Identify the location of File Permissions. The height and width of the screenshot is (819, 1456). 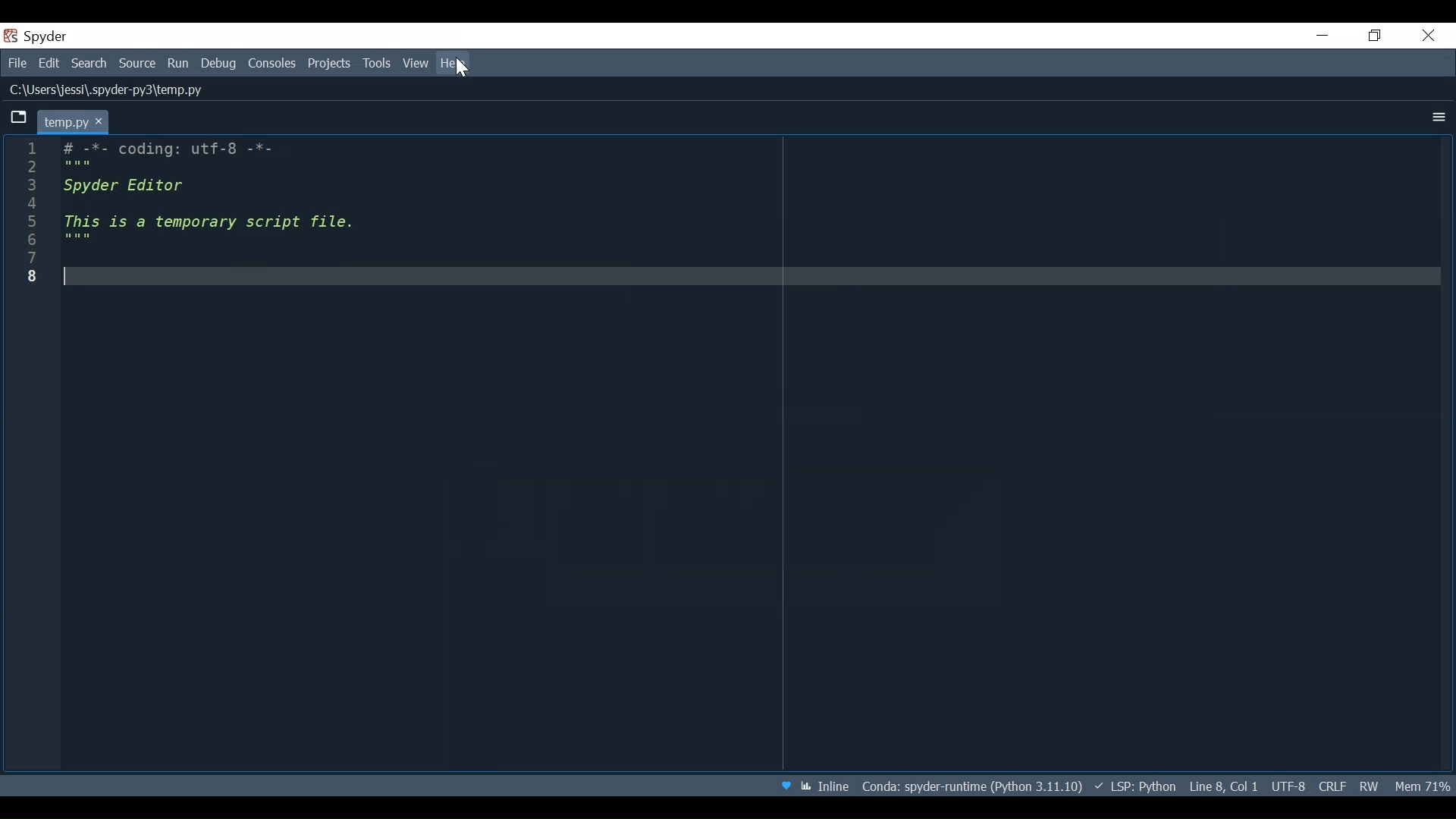
(1369, 788).